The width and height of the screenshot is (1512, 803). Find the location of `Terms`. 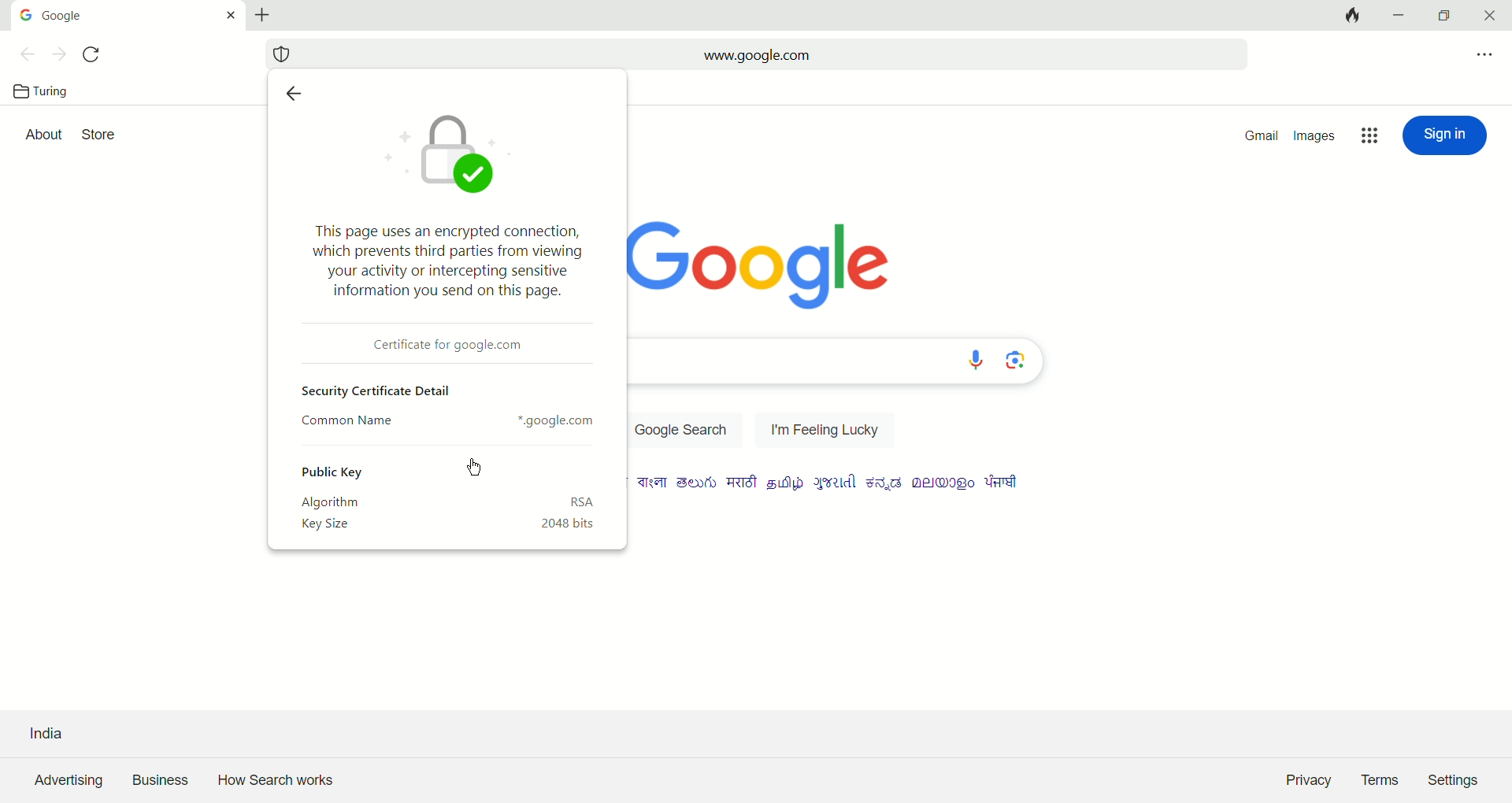

Terms is located at coordinates (1384, 781).